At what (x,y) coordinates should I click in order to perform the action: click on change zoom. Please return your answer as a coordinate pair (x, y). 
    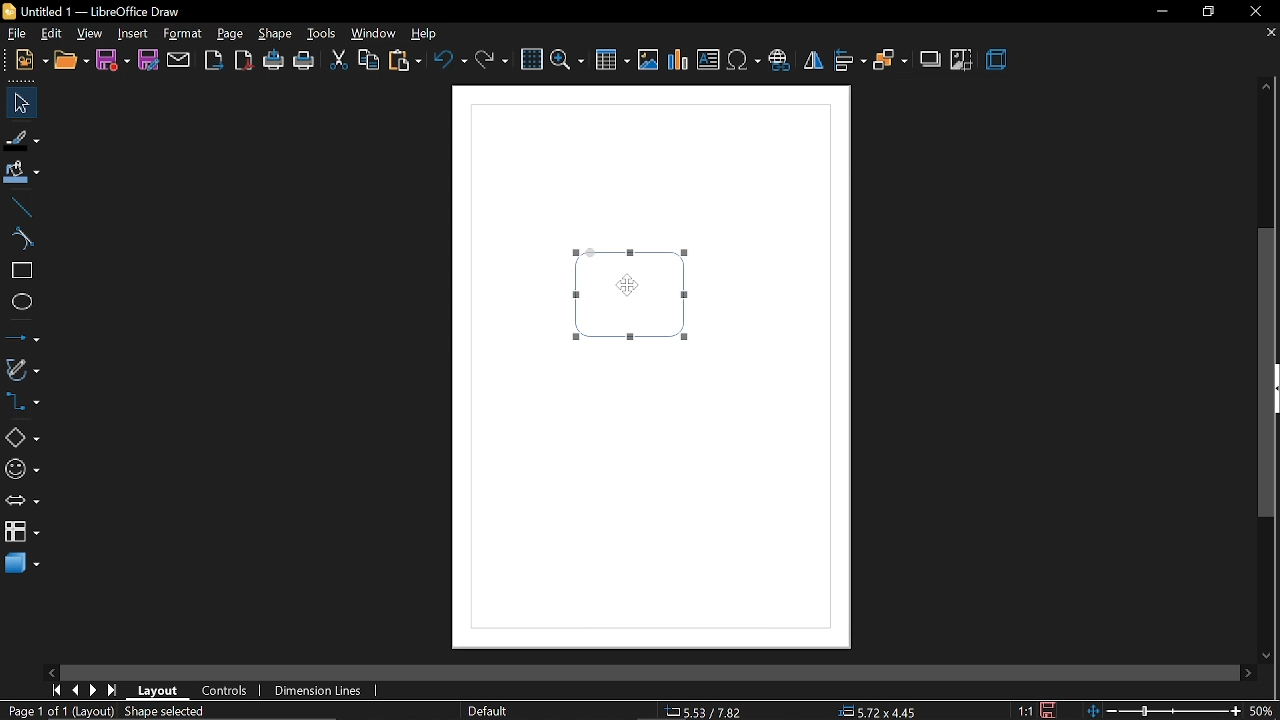
    Looking at the image, I should click on (1163, 712).